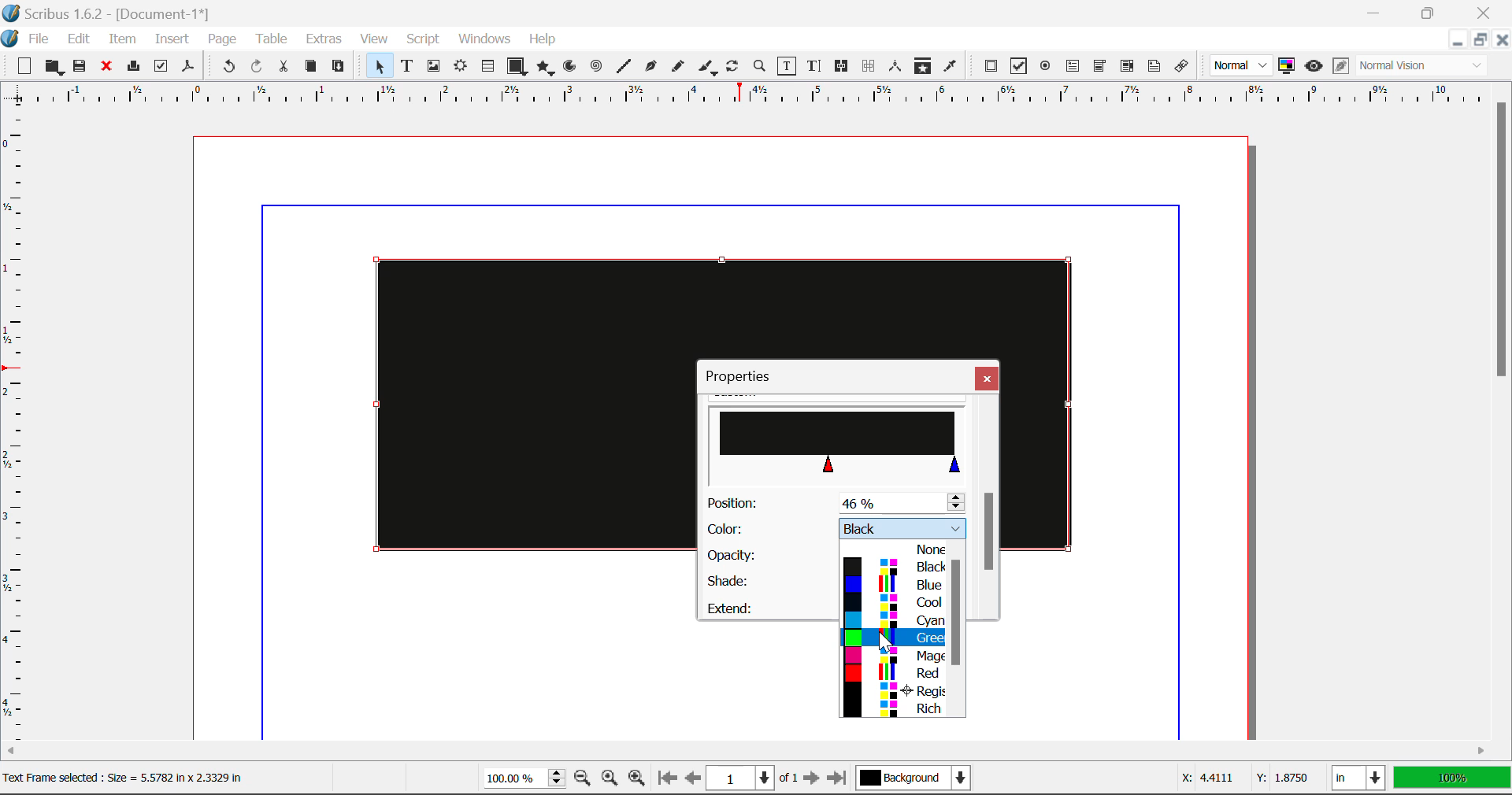  Describe the element at coordinates (950, 68) in the screenshot. I see `Eyedropper` at that location.